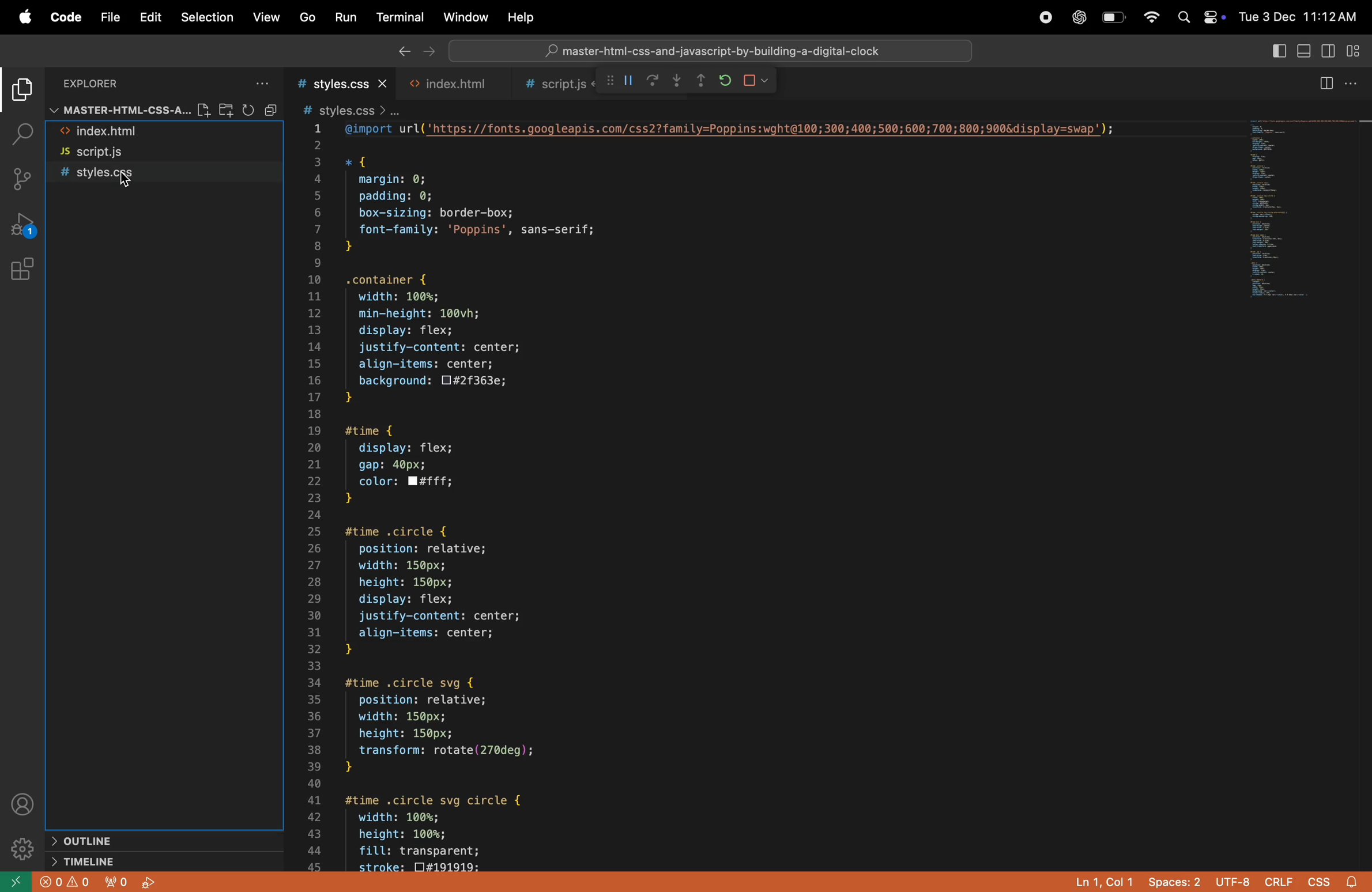 The height and width of the screenshot is (892, 1372). What do you see at coordinates (24, 179) in the screenshot?
I see `source control` at bounding box center [24, 179].